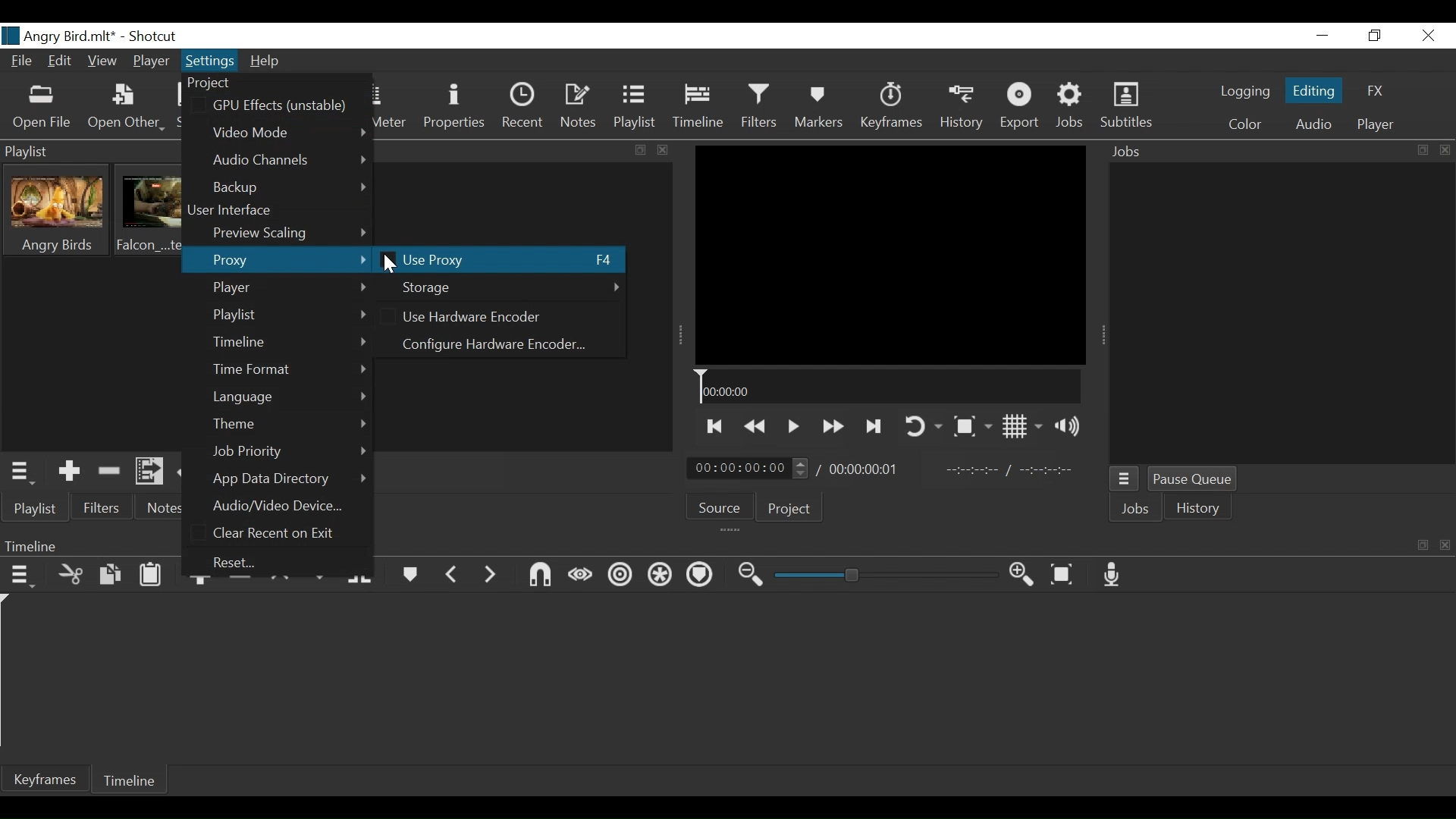 This screenshot has width=1456, height=819. I want to click on Edit, so click(61, 61).